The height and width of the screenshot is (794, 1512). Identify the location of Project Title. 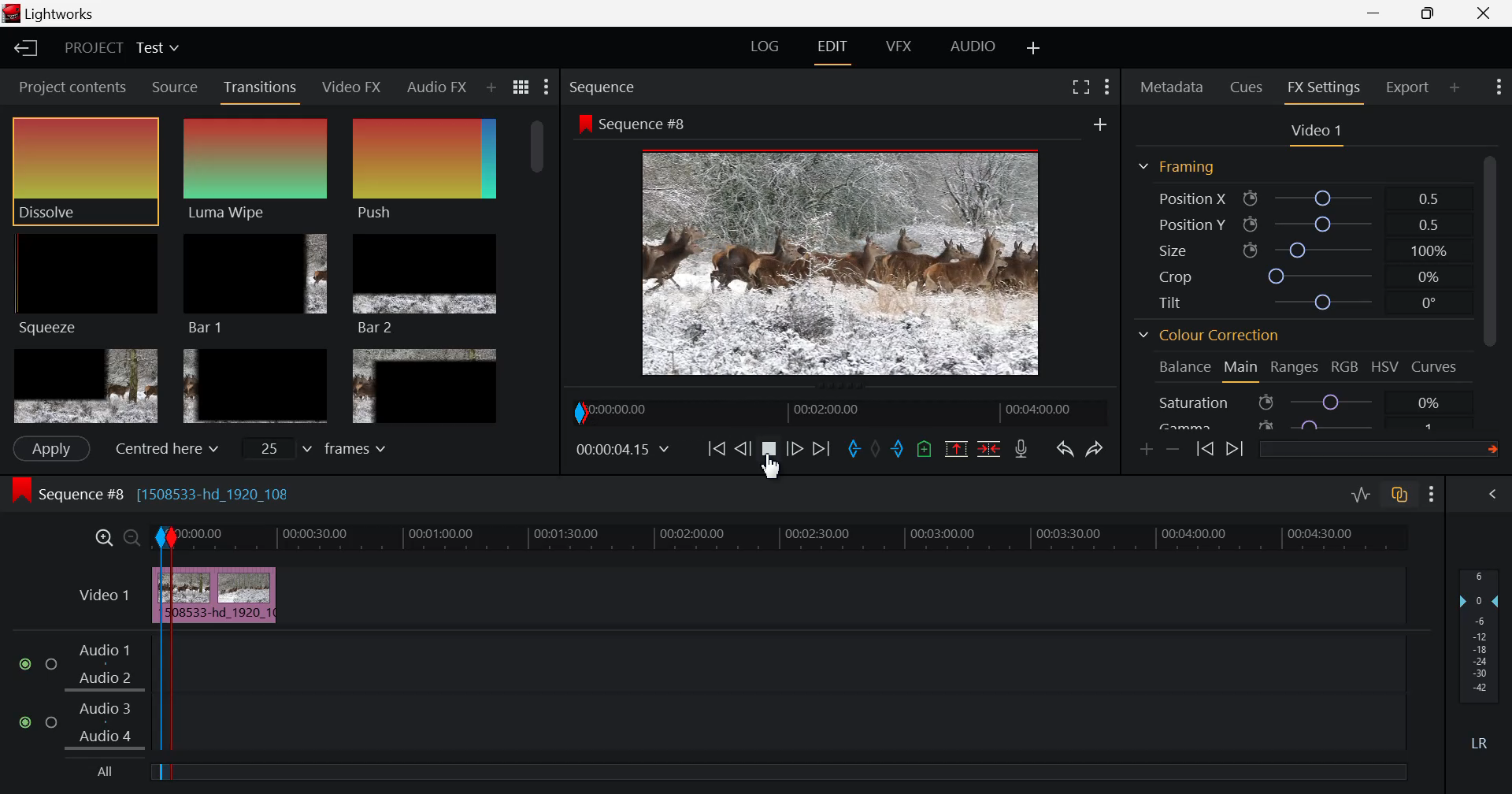
(121, 50).